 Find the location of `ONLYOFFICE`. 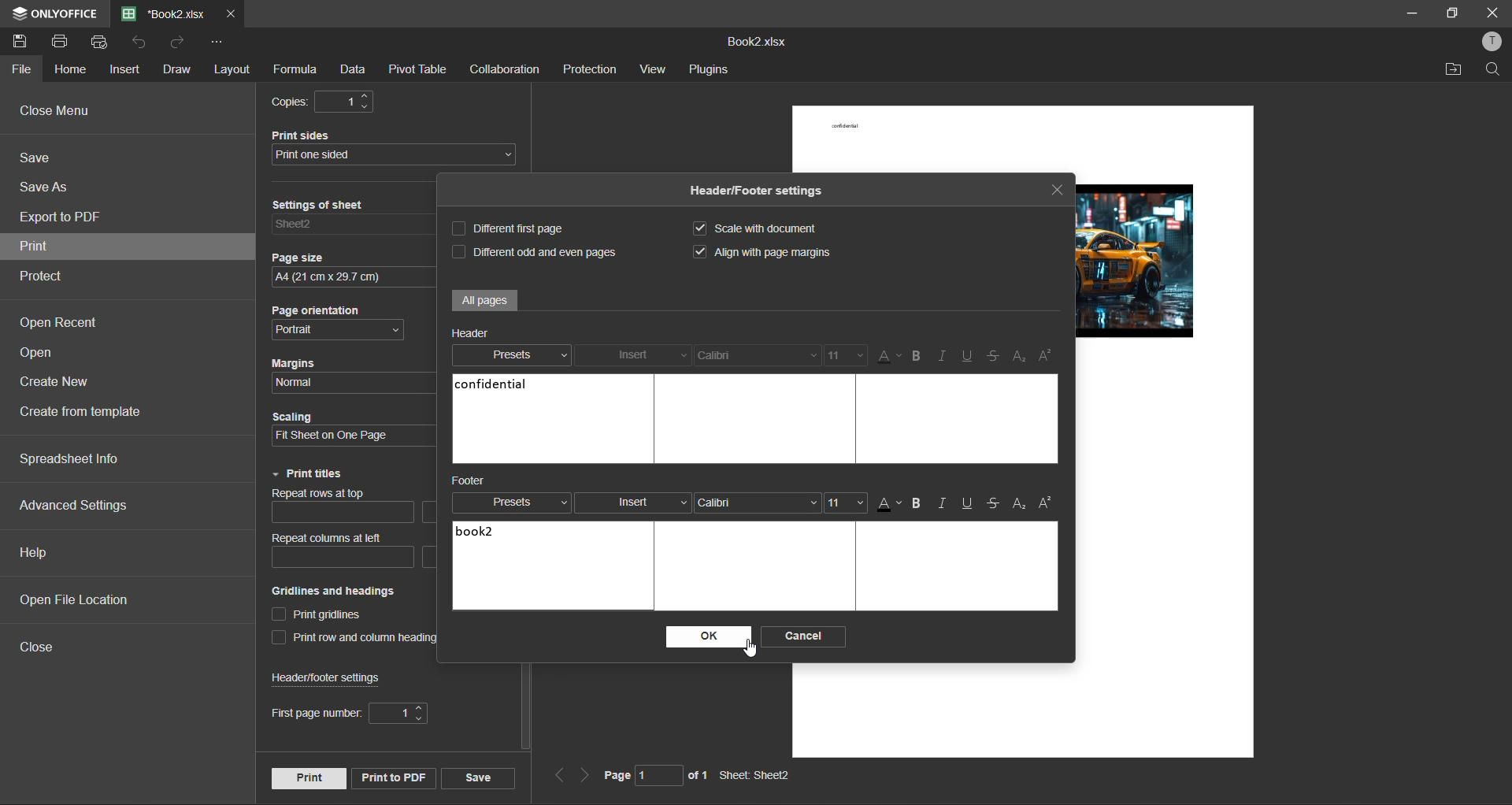

ONLYOFFICE is located at coordinates (70, 15).